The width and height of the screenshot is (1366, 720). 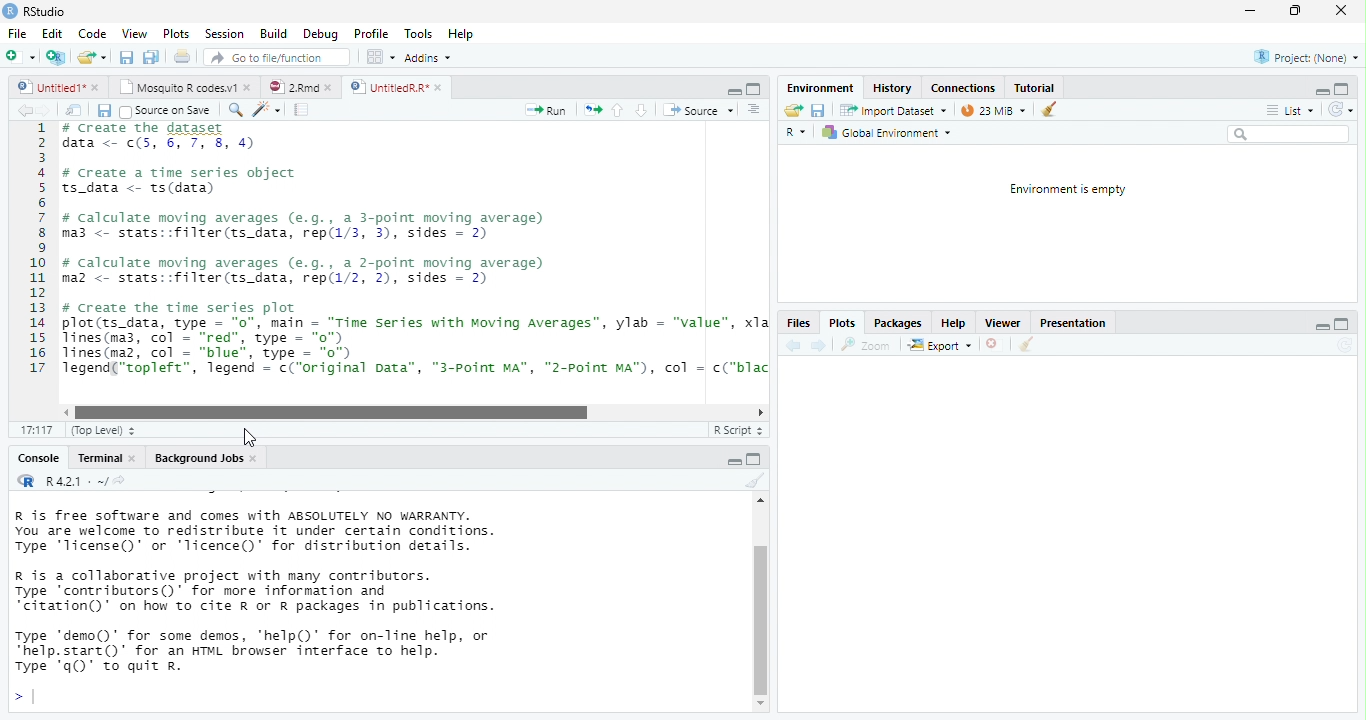 I want to click on Packages, so click(x=898, y=323).